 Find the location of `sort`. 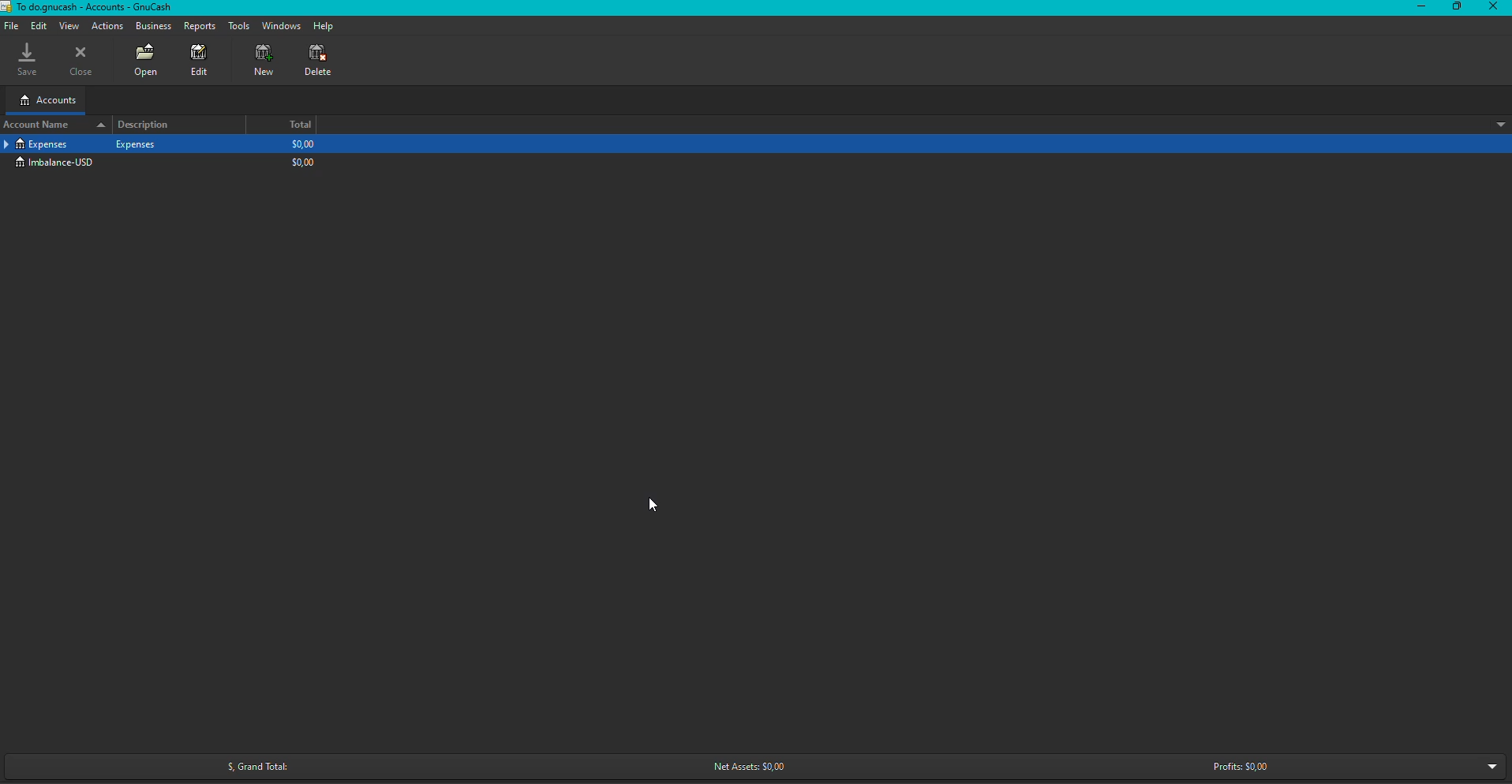

sort is located at coordinates (1495, 124).